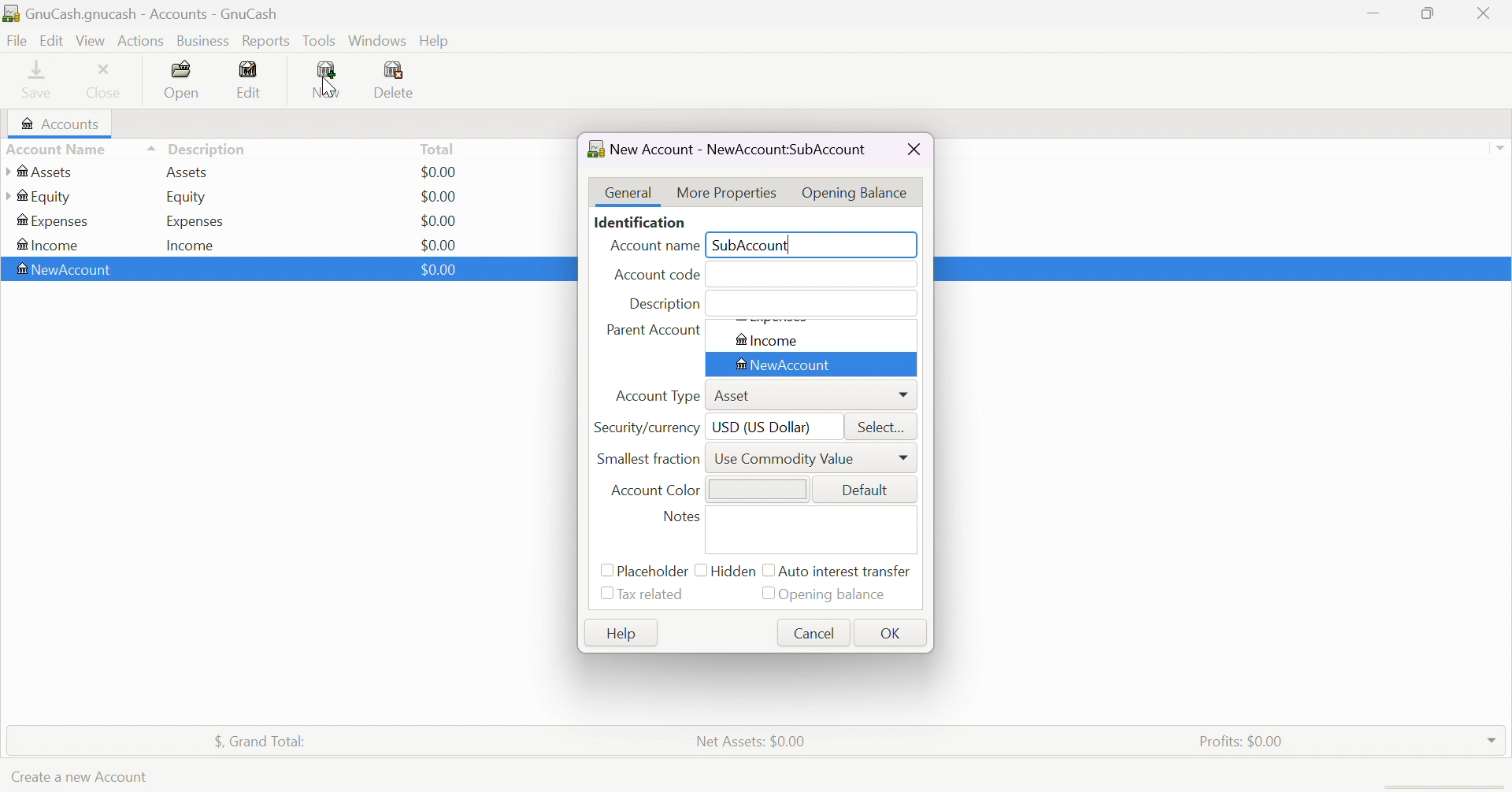  What do you see at coordinates (656, 277) in the screenshot?
I see `Account code` at bounding box center [656, 277].